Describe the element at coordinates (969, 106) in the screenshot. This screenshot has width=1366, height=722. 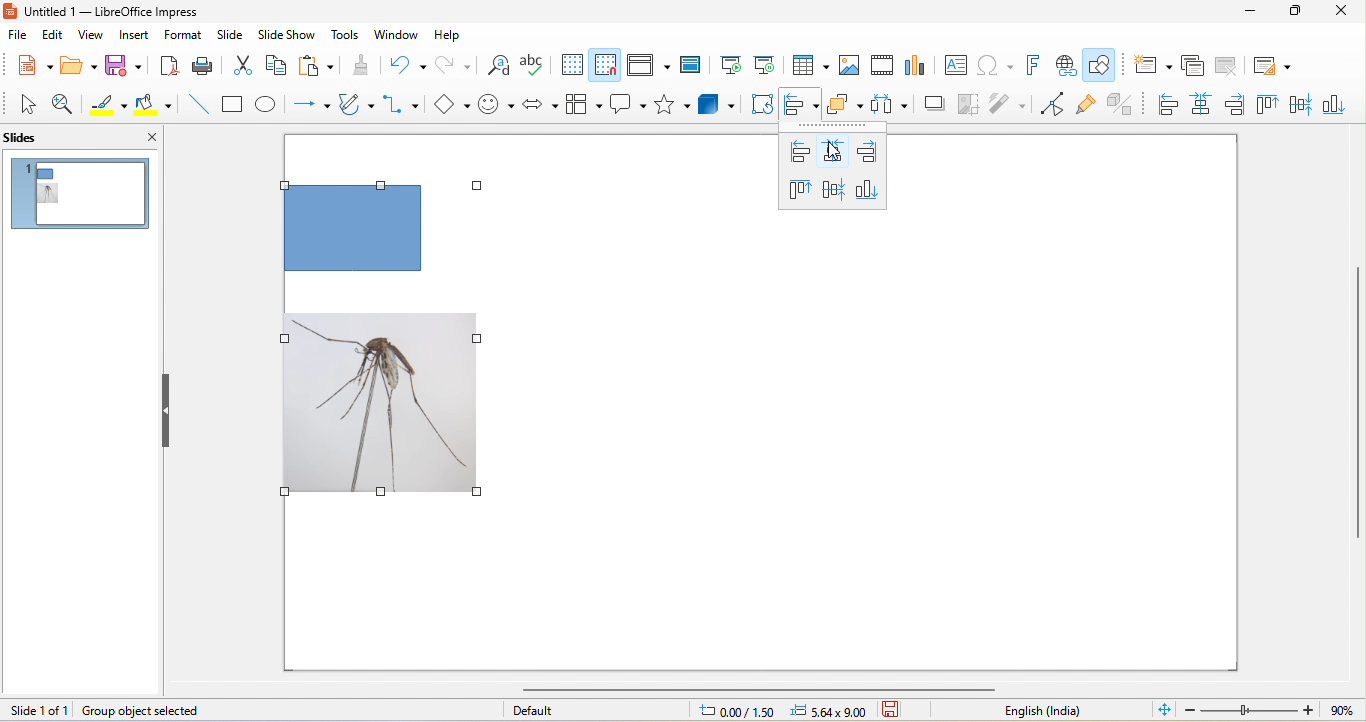
I see `crop image` at that location.